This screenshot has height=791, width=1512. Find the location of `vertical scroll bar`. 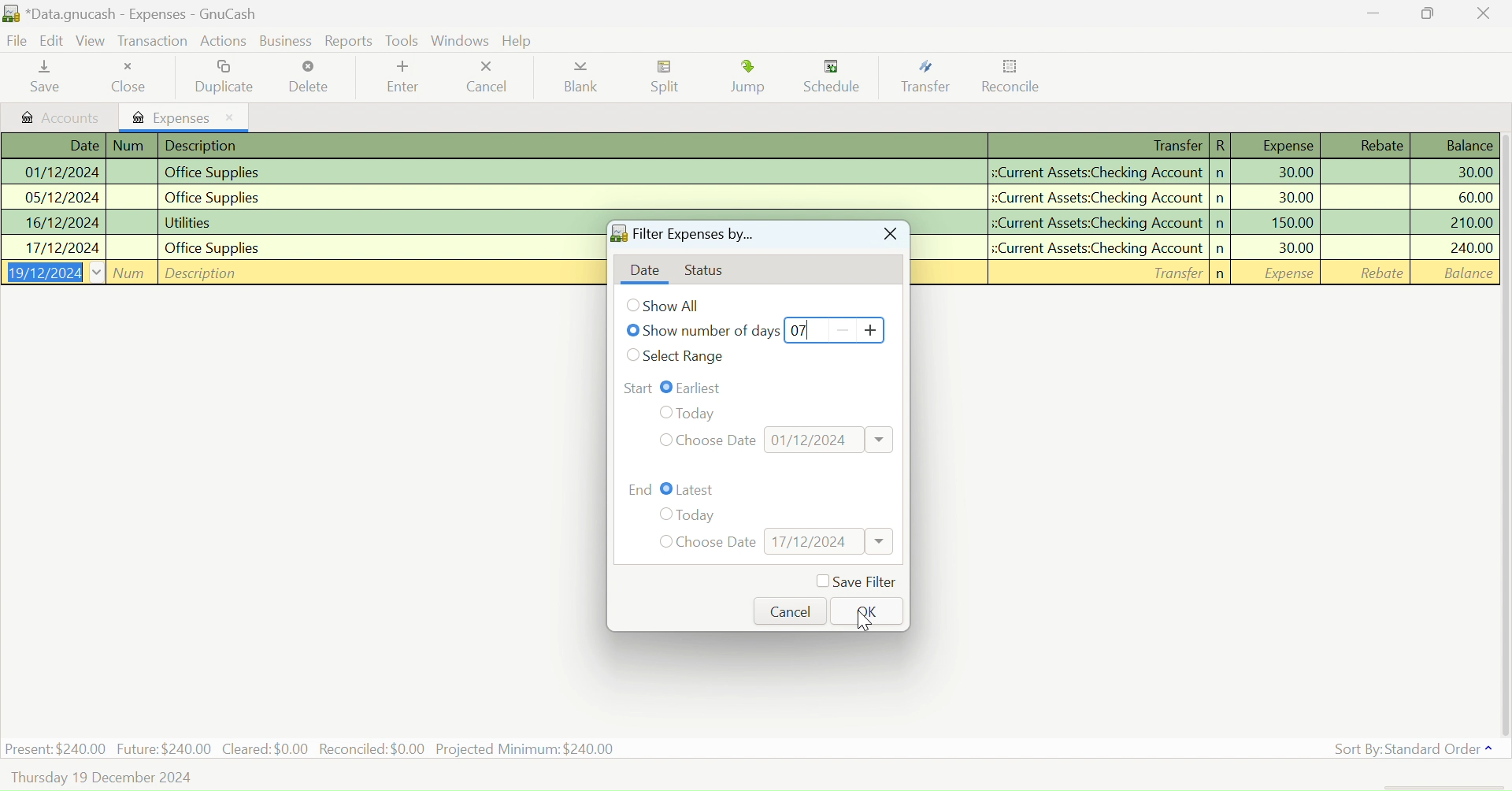

vertical scroll bar is located at coordinates (1503, 433).